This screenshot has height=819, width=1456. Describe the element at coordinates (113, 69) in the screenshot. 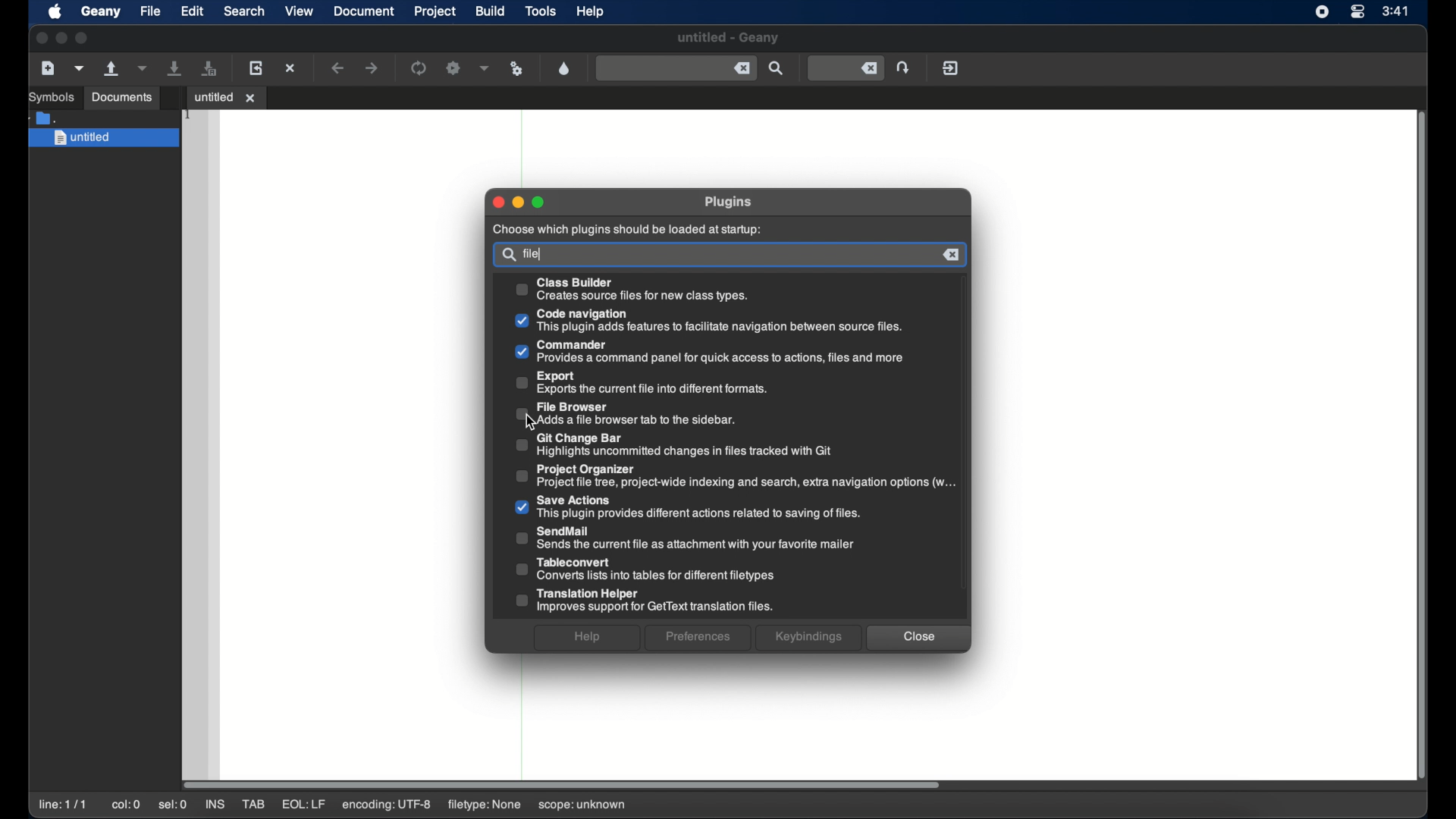

I see `open an existing file` at that location.